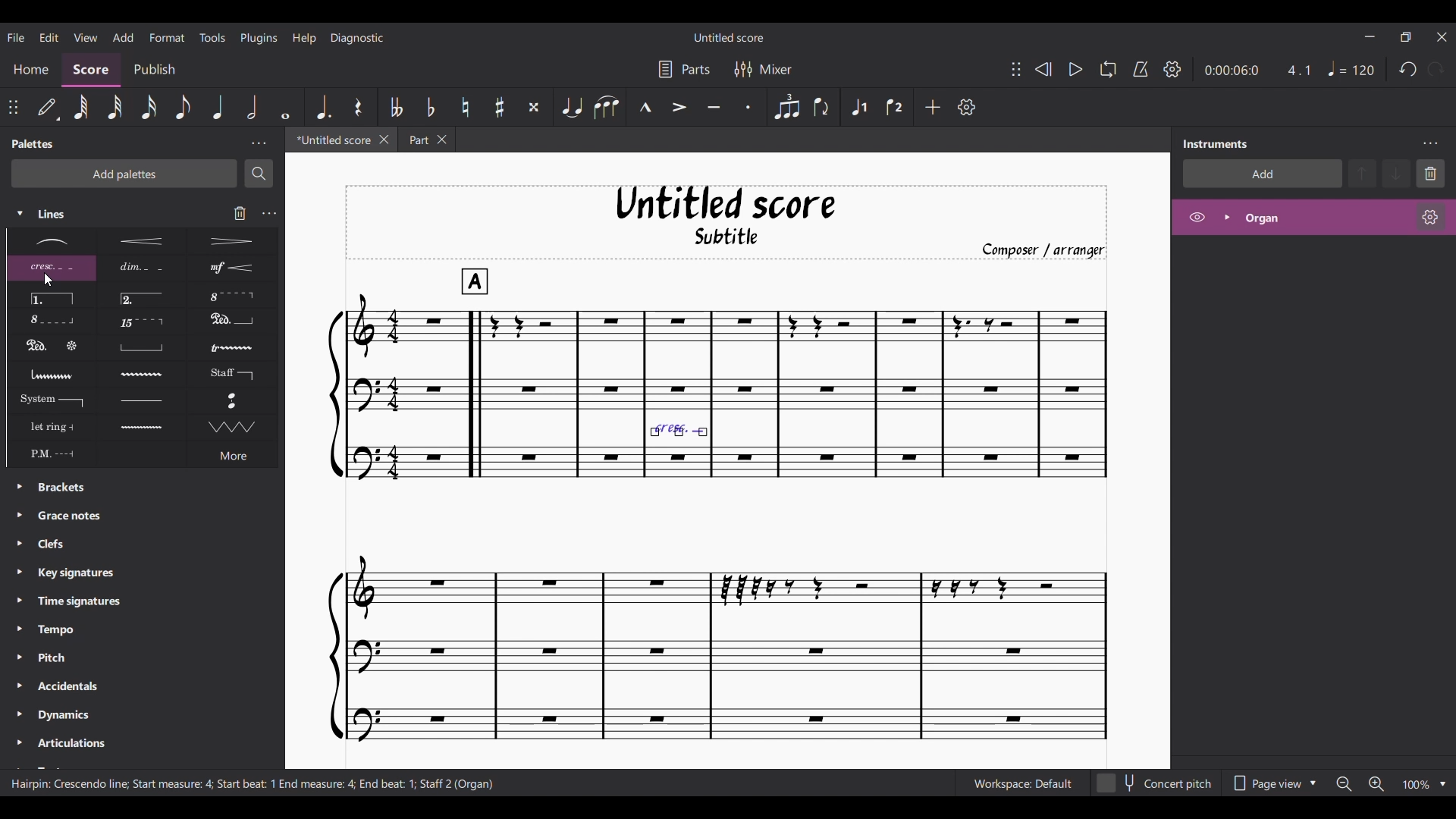  Describe the element at coordinates (1257, 70) in the screenshot. I see `Current duration and ratio of score` at that location.